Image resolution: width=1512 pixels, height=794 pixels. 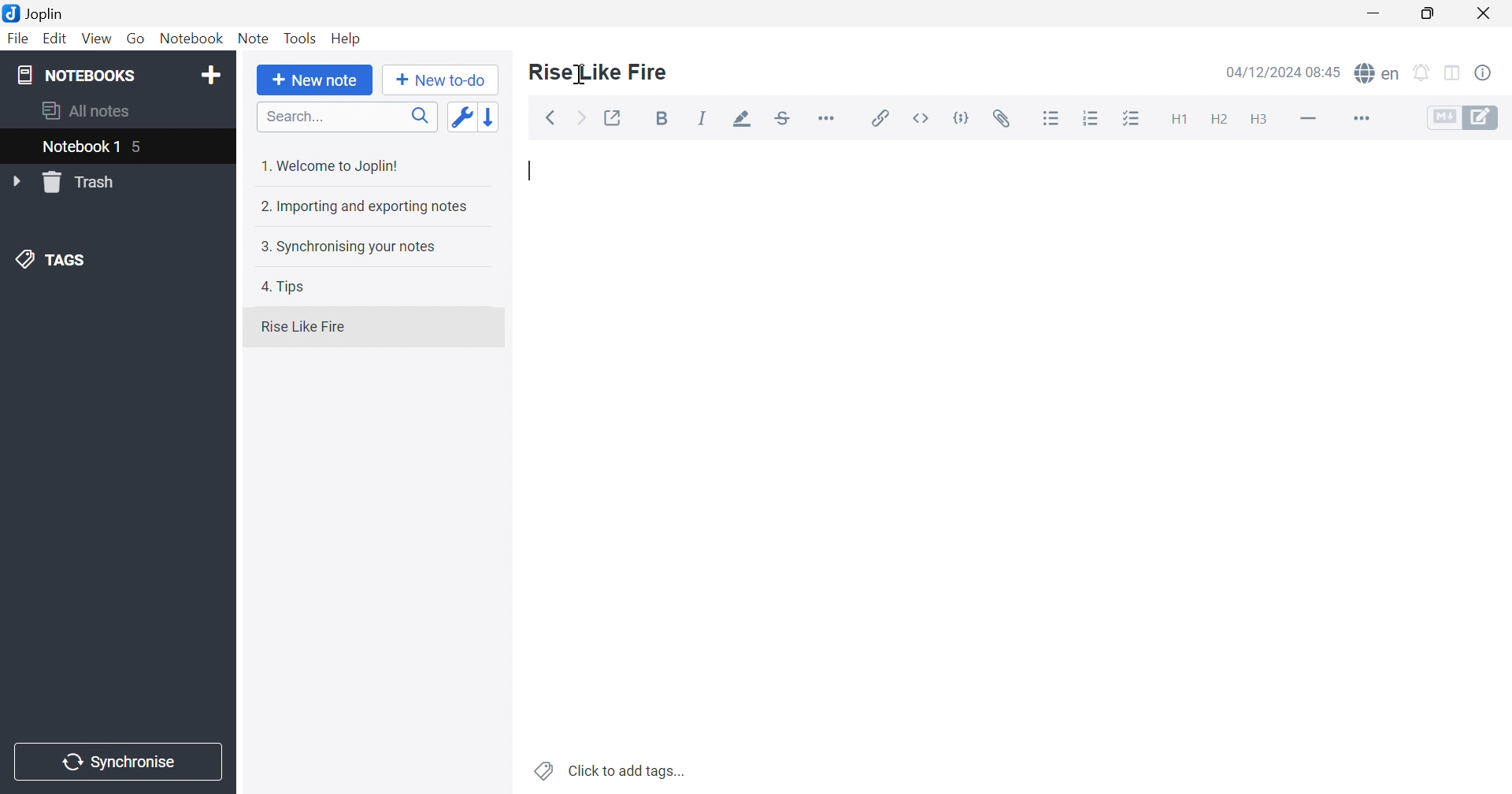 What do you see at coordinates (1431, 14) in the screenshot?
I see `Restore Down` at bounding box center [1431, 14].